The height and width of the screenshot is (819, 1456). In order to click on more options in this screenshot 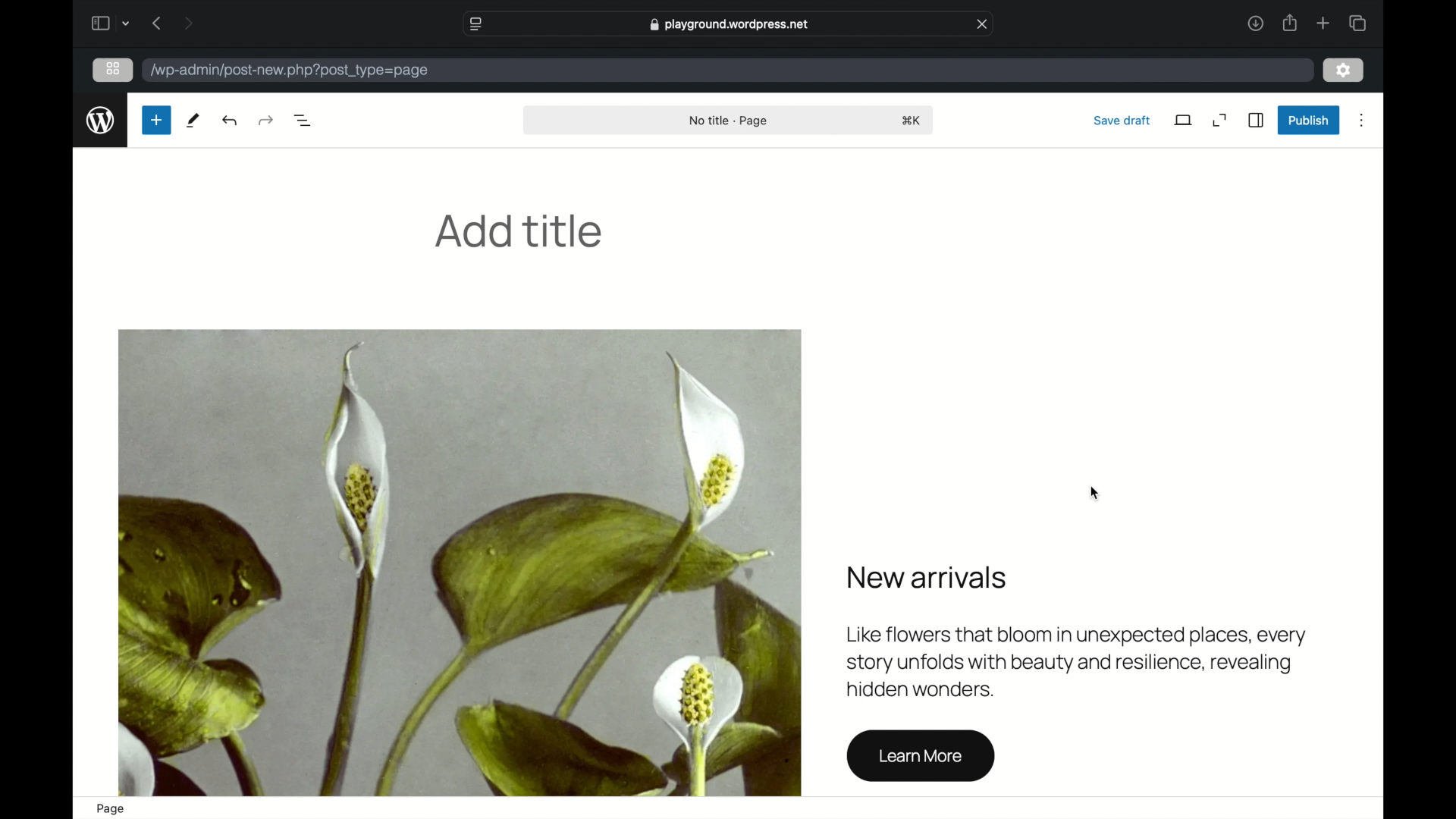, I will do `click(1362, 121)`.